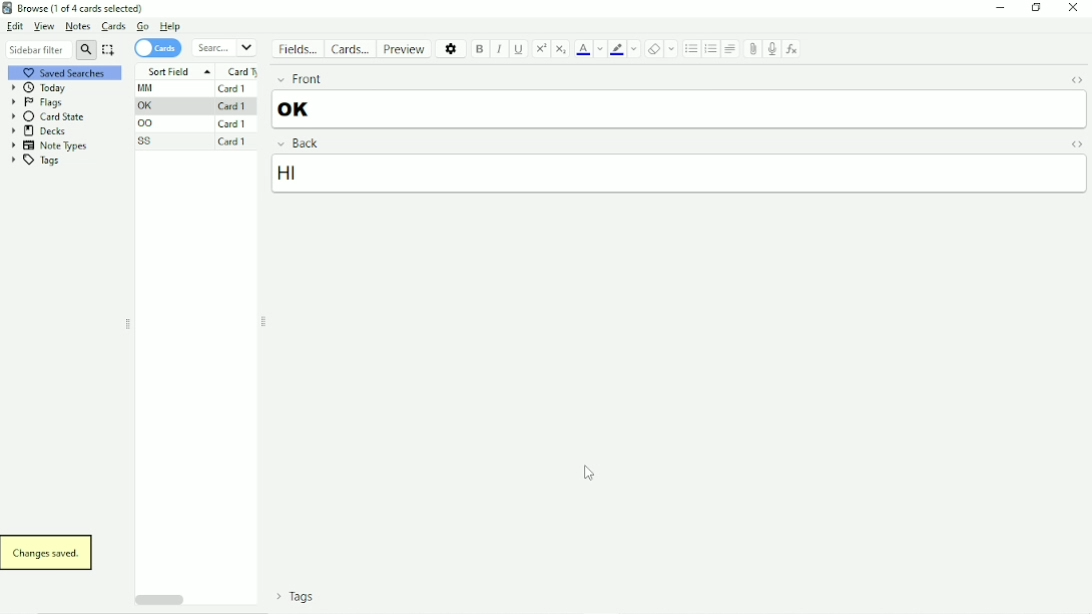 The width and height of the screenshot is (1092, 614). Describe the element at coordinates (77, 26) in the screenshot. I see `Notes` at that location.